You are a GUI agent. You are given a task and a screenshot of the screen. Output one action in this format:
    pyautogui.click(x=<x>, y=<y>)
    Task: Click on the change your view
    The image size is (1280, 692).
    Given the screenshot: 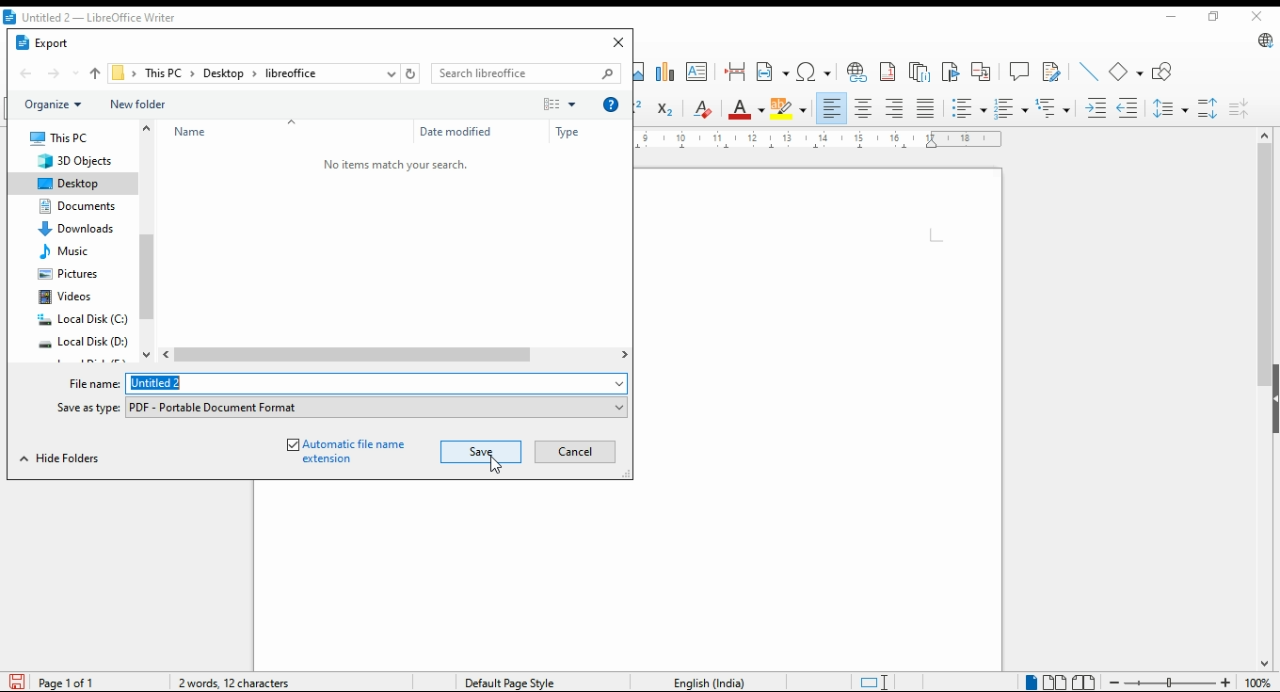 What is the action you would take?
    pyautogui.click(x=558, y=104)
    